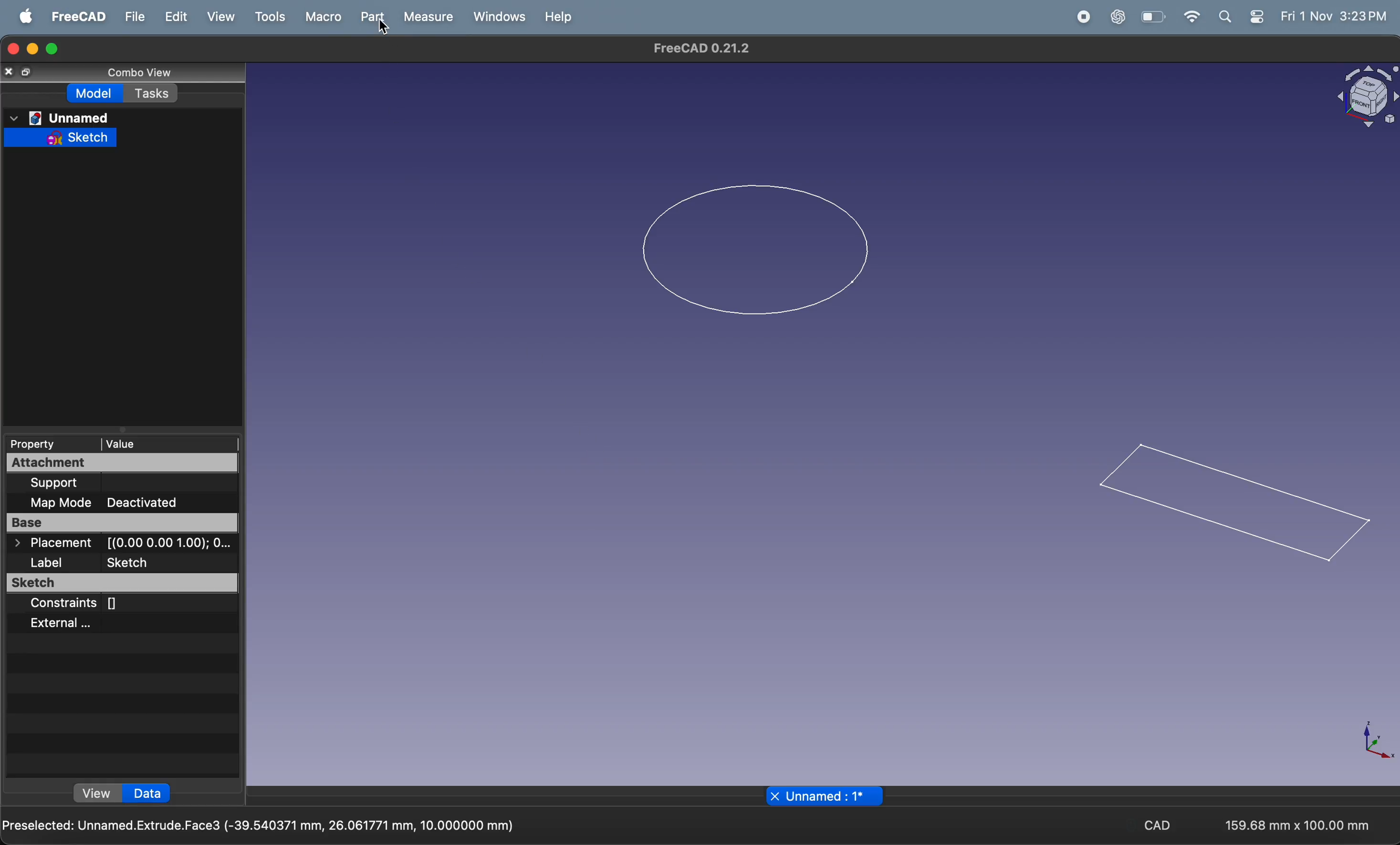  Describe the element at coordinates (60, 137) in the screenshot. I see `sketch` at that location.